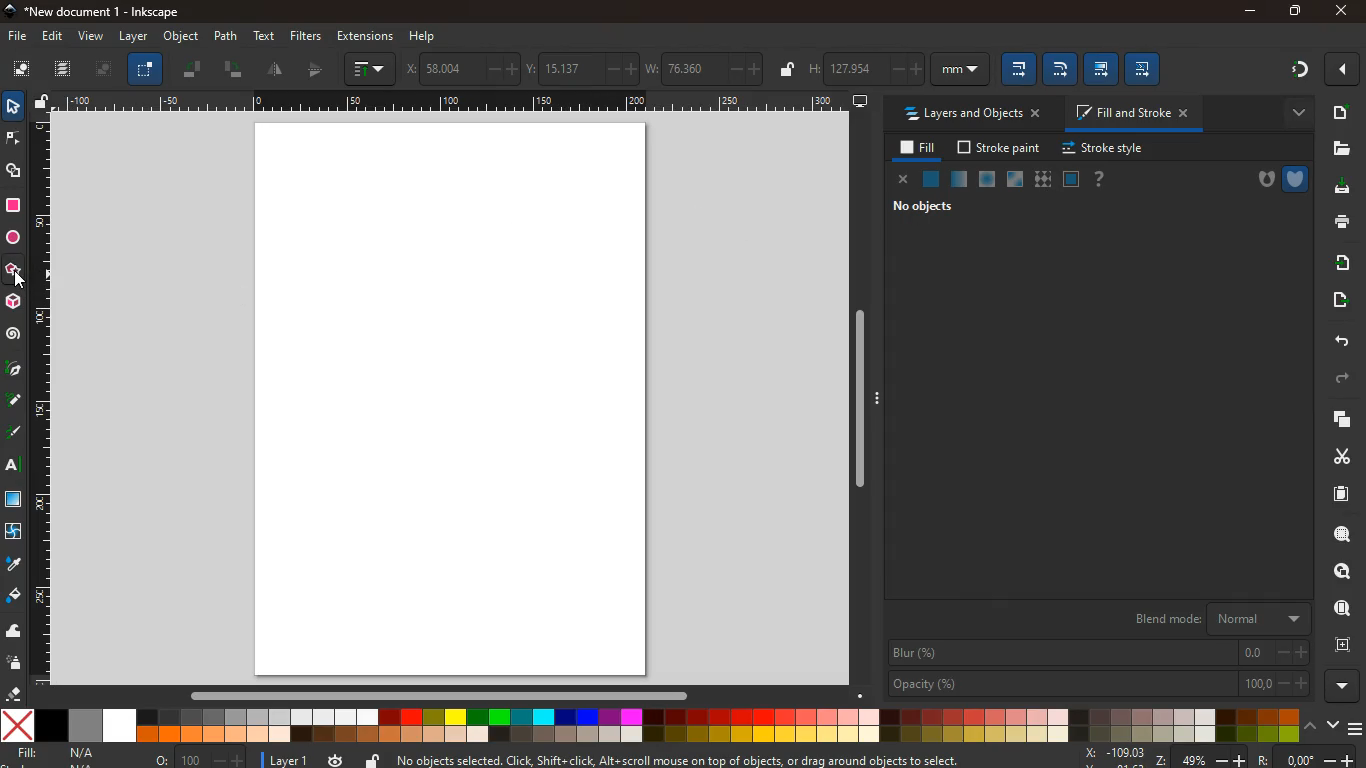  I want to click on frame, so click(1343, 646).